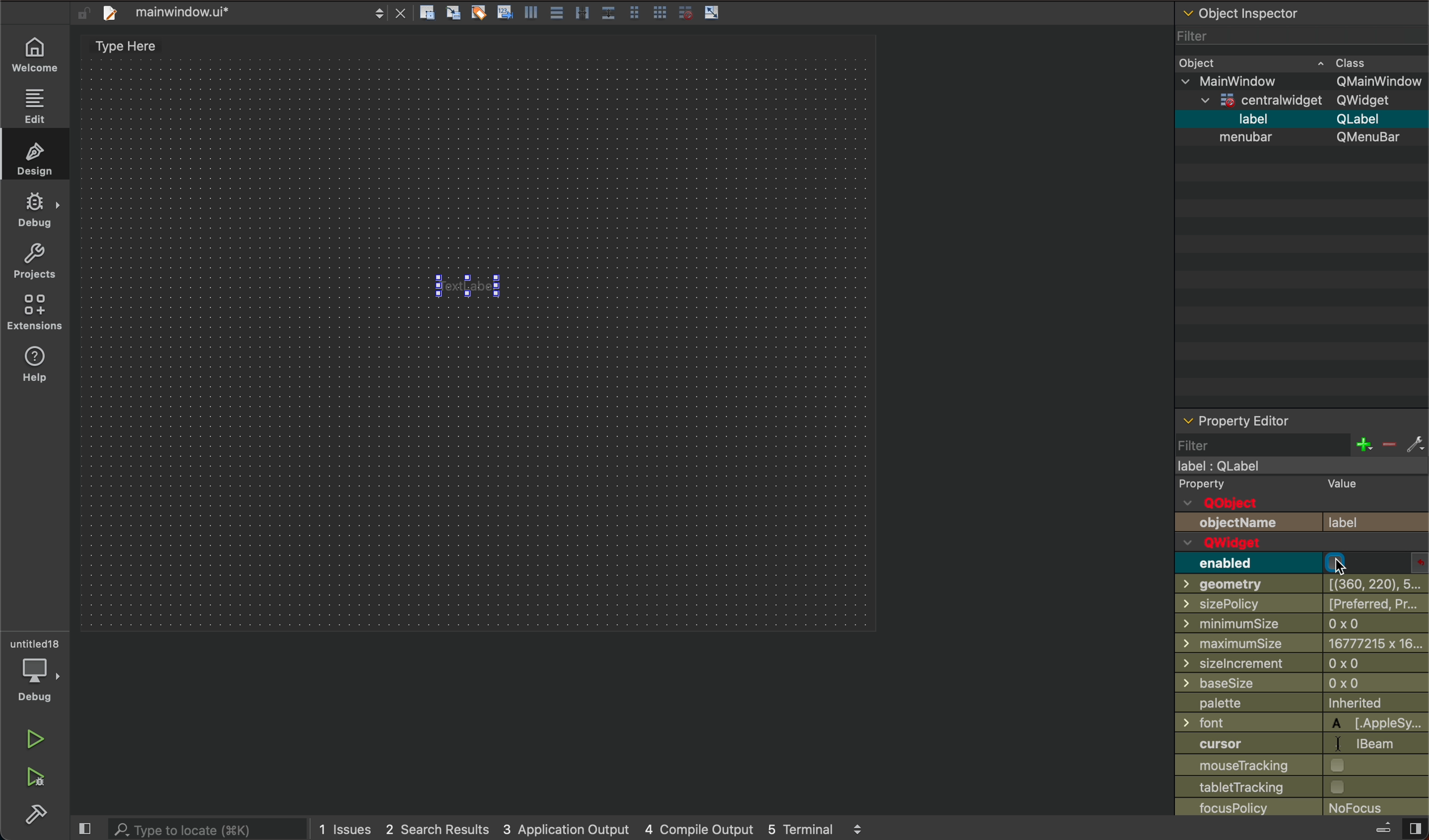 Image resolution: width=1429 pixels, height=840 pixels. Describe the element at coordinates (1236, 80) in the screenshot. I see `mainwidow` at that location.